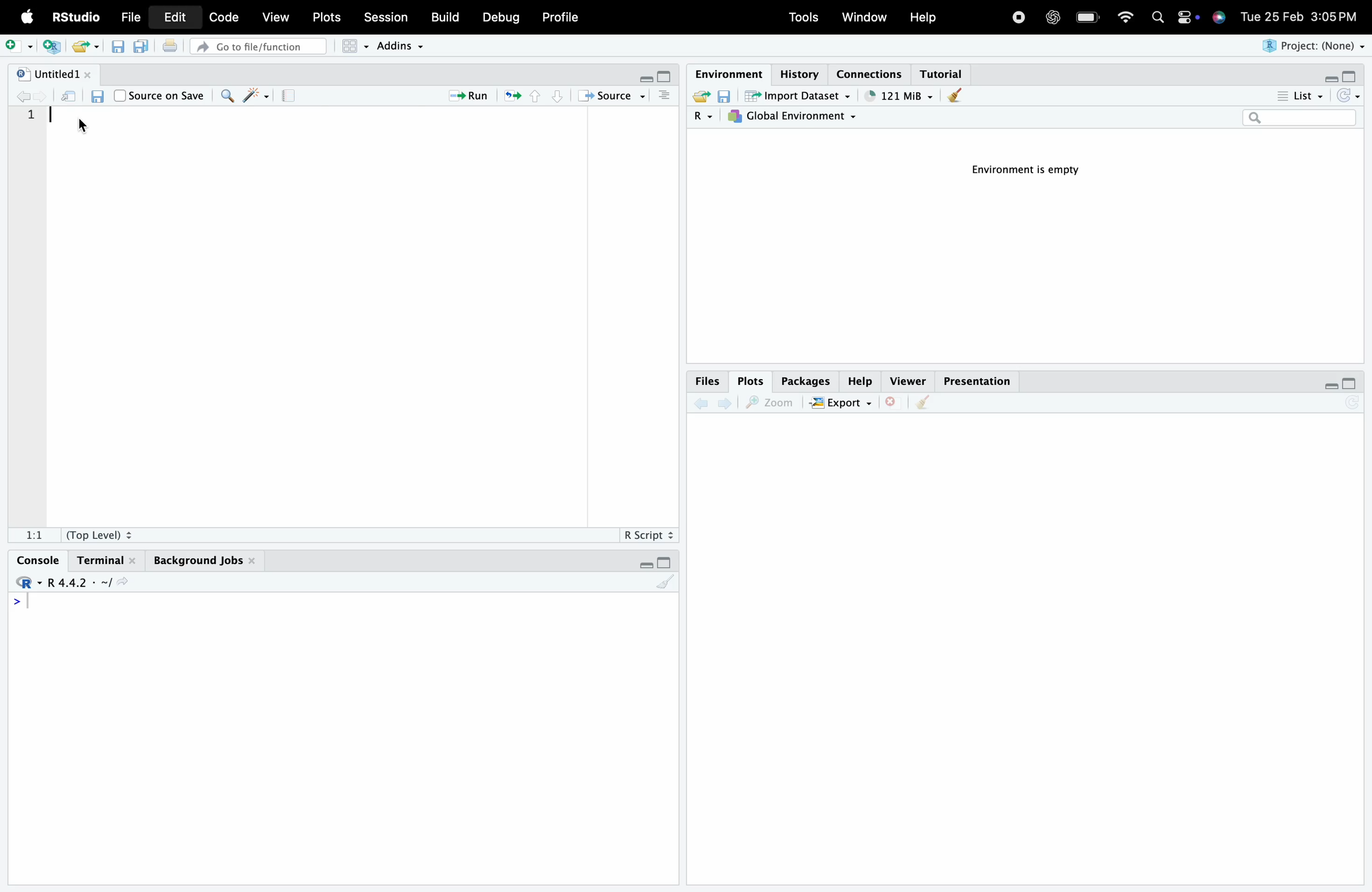  I want to click on Connections, so click(873, 74).